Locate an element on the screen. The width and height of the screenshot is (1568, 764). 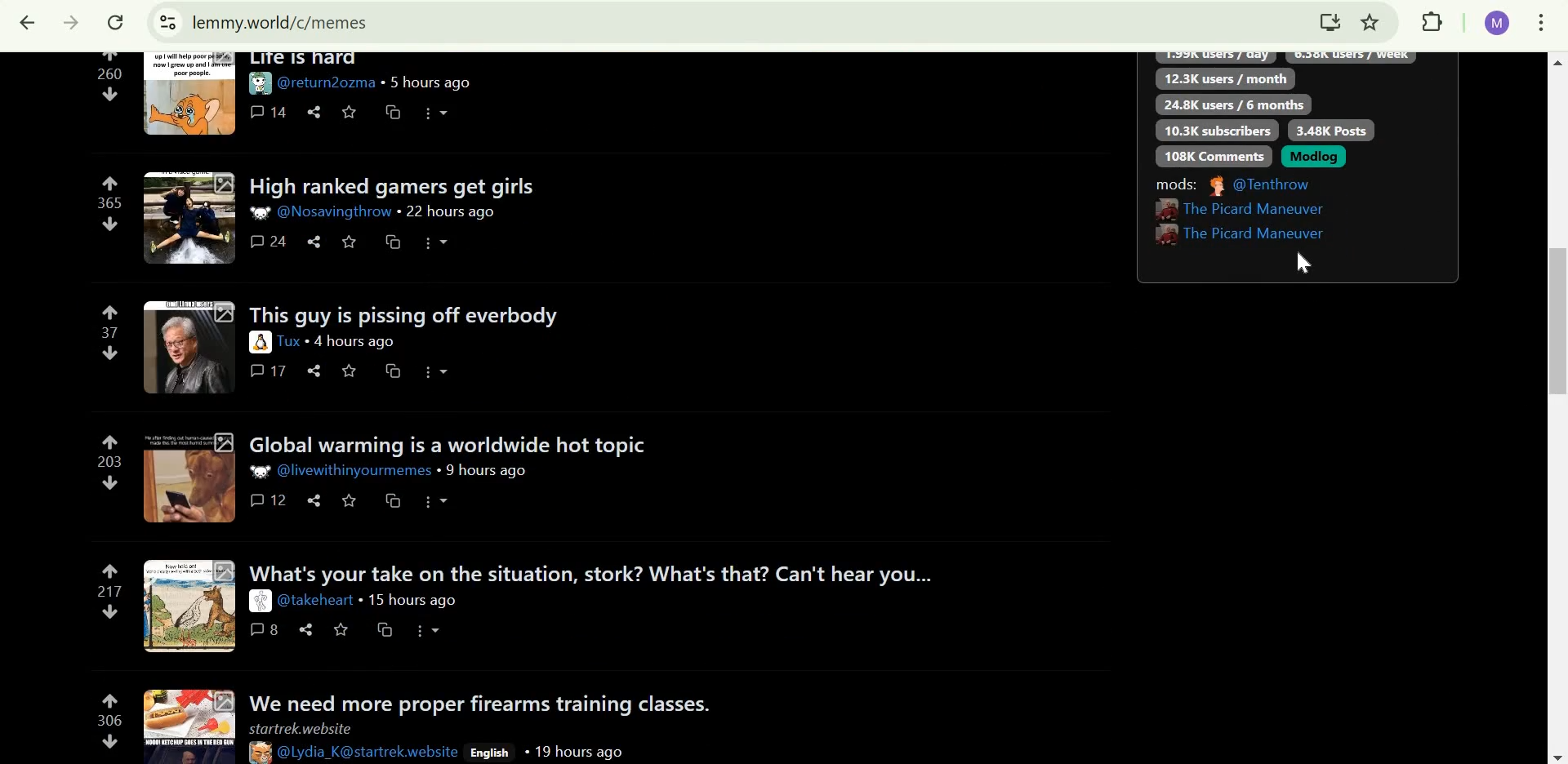
expand here is located at coordinates (193, 607).